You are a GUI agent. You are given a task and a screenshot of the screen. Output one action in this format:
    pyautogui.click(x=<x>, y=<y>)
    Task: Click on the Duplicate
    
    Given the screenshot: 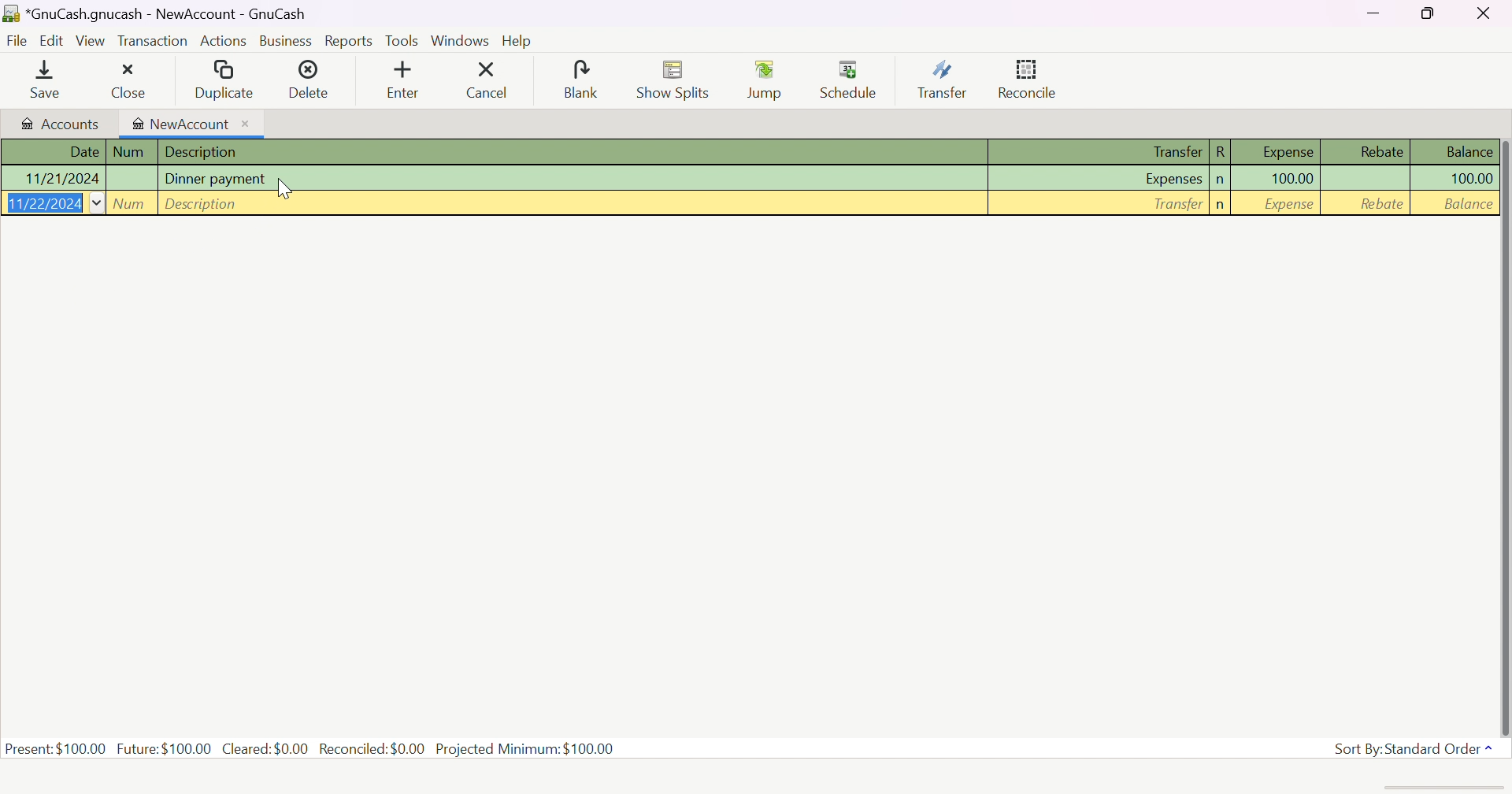 What is the action you would take?
    pyautogui.click(x=223, y=80)
    